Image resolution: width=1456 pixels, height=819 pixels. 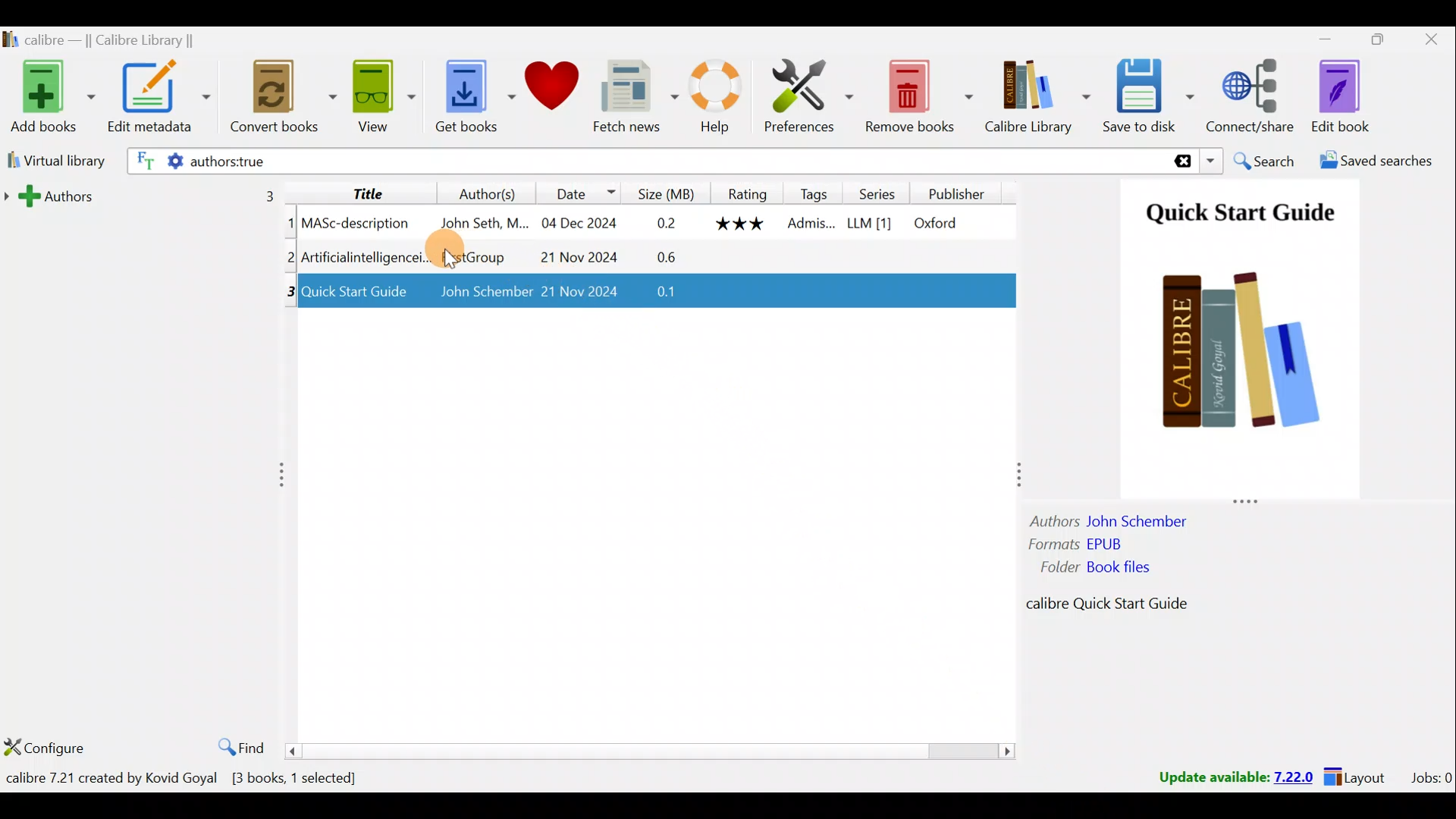 What do you see at coordinates (748, 193) in the screenshot?
I see `Rating` at bounding box center [748, 193].